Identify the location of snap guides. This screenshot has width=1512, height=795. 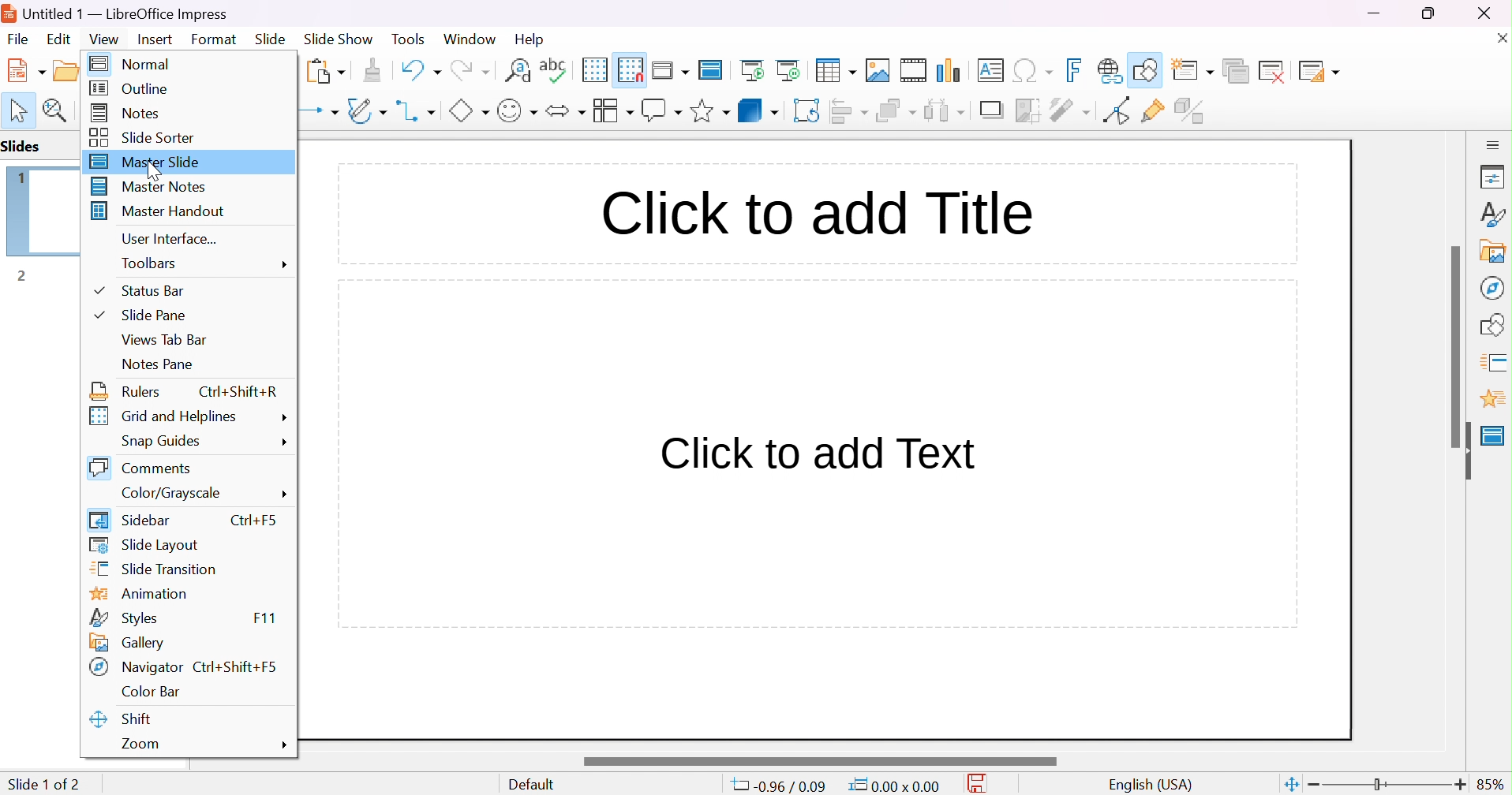
(160, 442).